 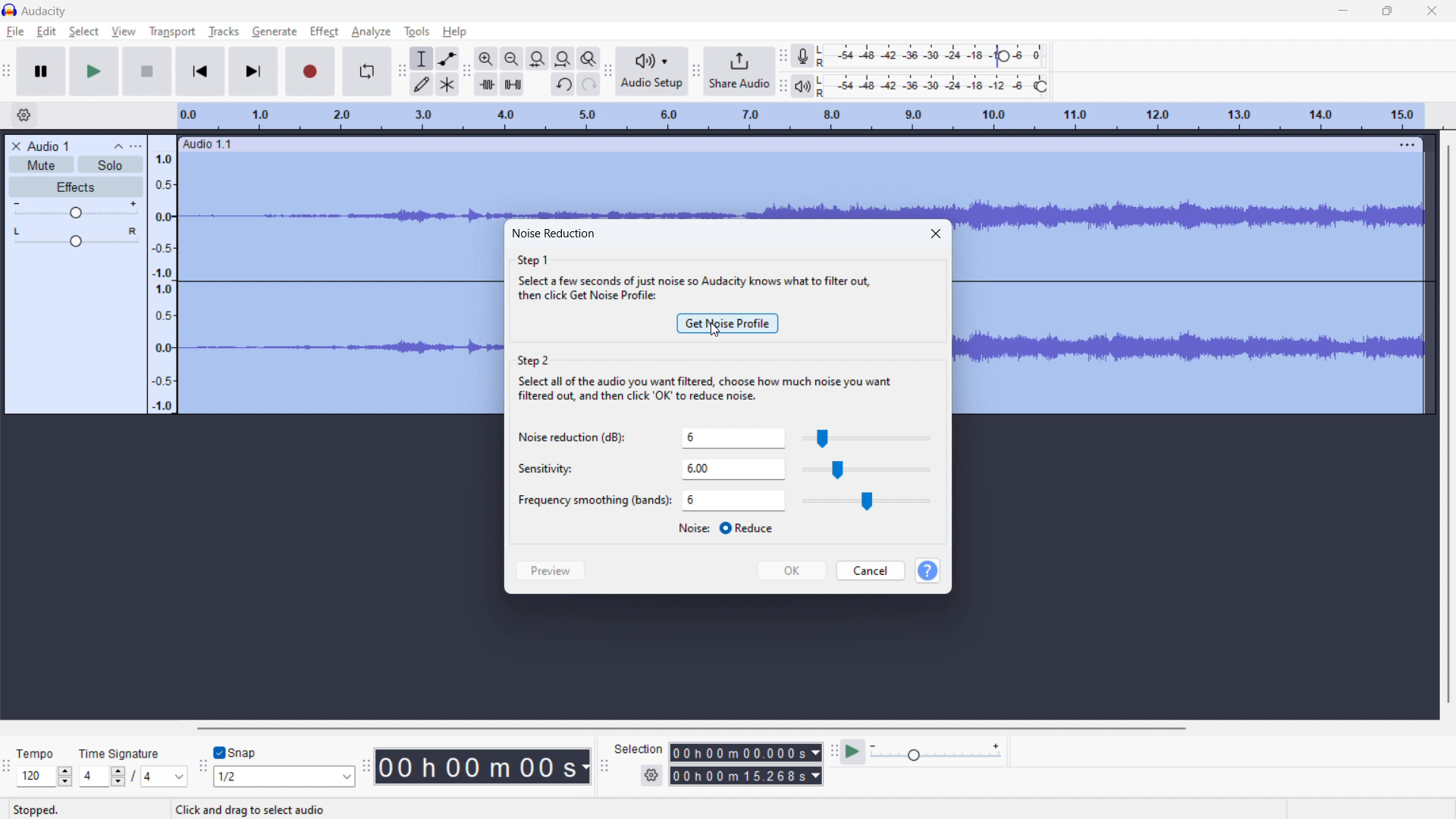 I want to click on view menu, so click(x=137, y=146).